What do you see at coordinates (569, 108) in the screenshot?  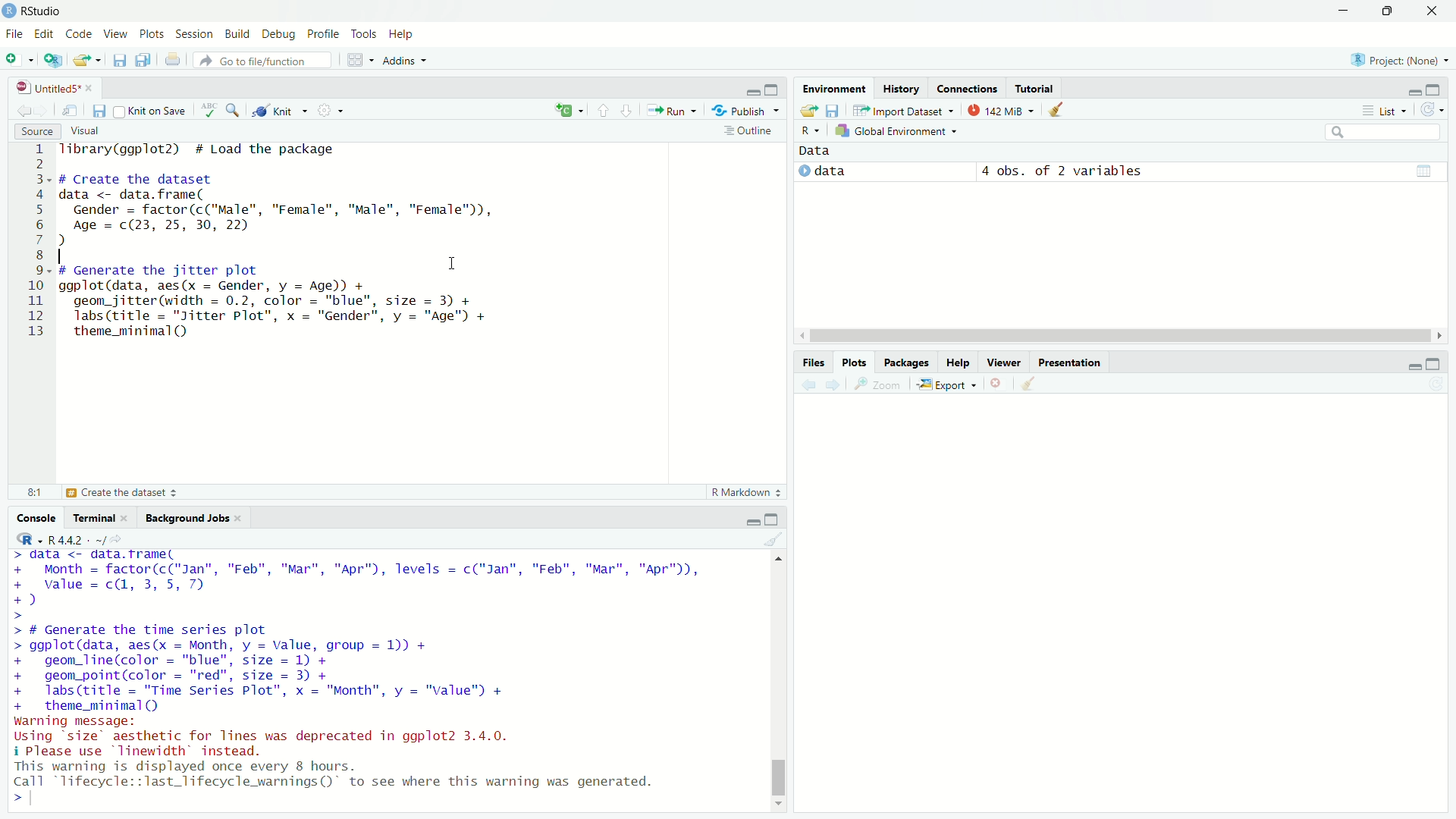 I see `insert a chunk of code` at bounding box center [569, 108].